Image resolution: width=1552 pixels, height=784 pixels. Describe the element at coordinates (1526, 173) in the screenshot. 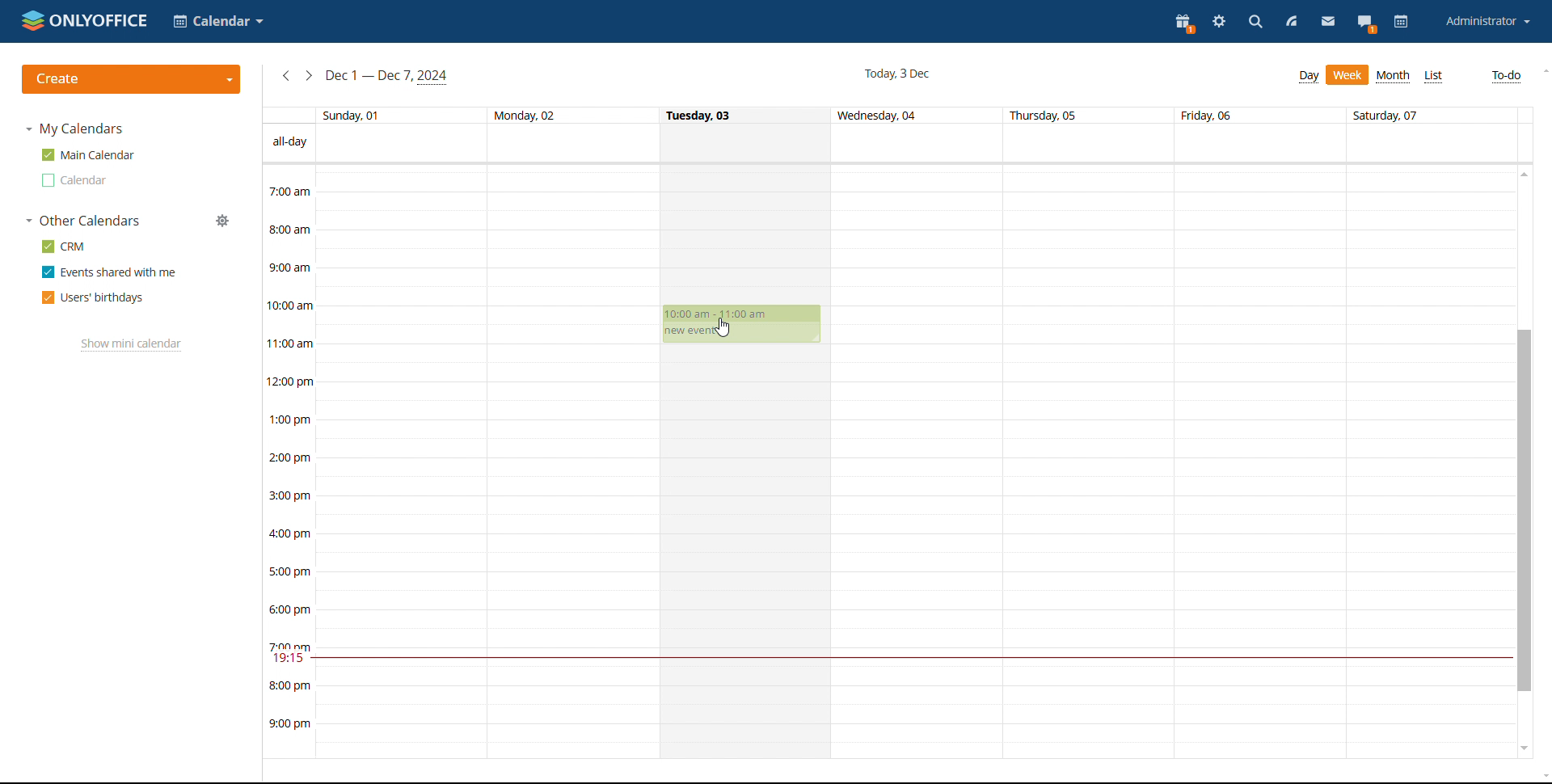

I see `scroll  up` at that location.